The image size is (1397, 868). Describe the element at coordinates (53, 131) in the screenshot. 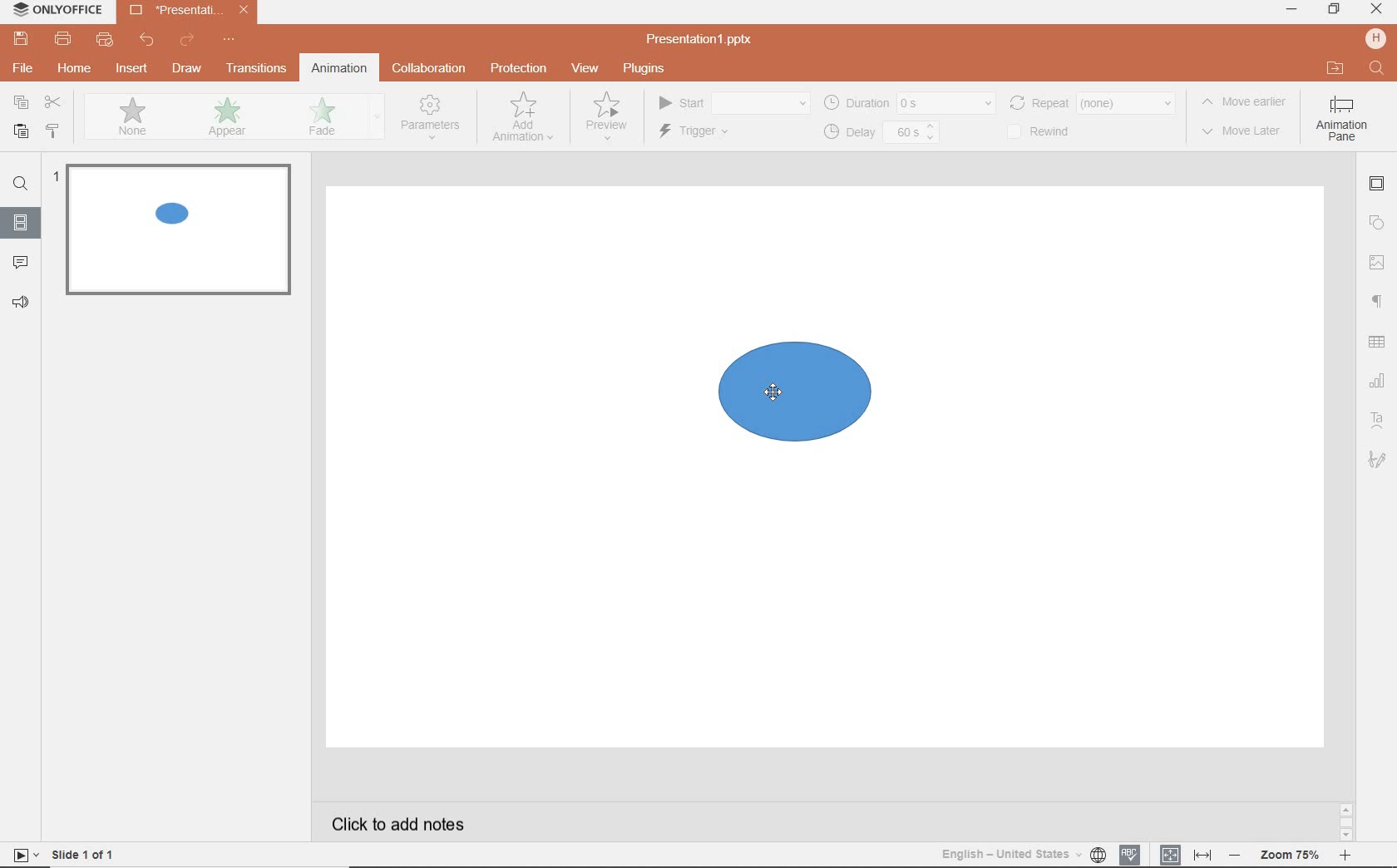

I see `COPY STYLE` at that location.